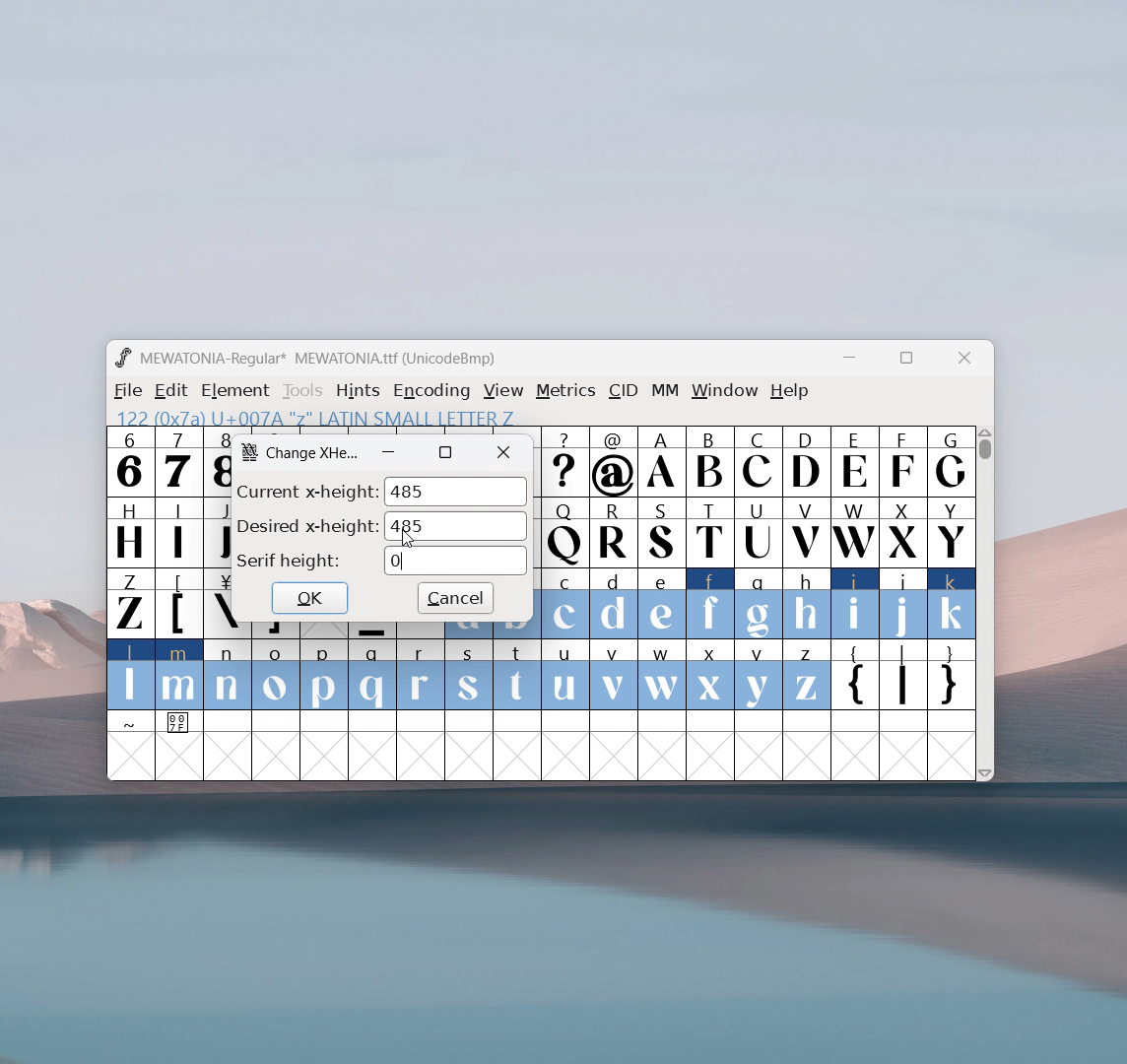 The image size is (1127, 1064). I want to click on |, so click(903, 677).